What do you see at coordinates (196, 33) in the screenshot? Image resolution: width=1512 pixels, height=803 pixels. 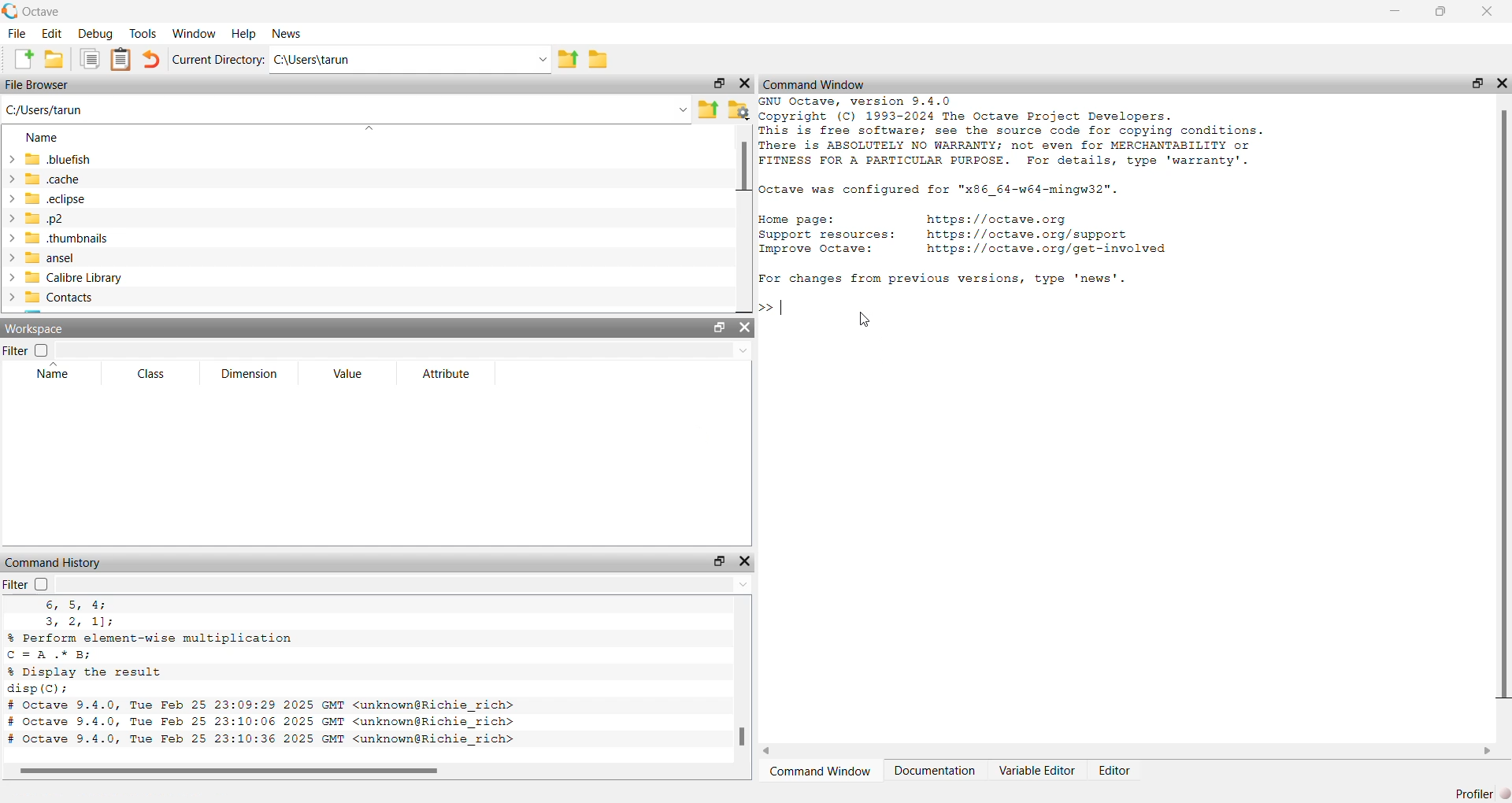 I see `‘Window` at bounding box center [196, 33].